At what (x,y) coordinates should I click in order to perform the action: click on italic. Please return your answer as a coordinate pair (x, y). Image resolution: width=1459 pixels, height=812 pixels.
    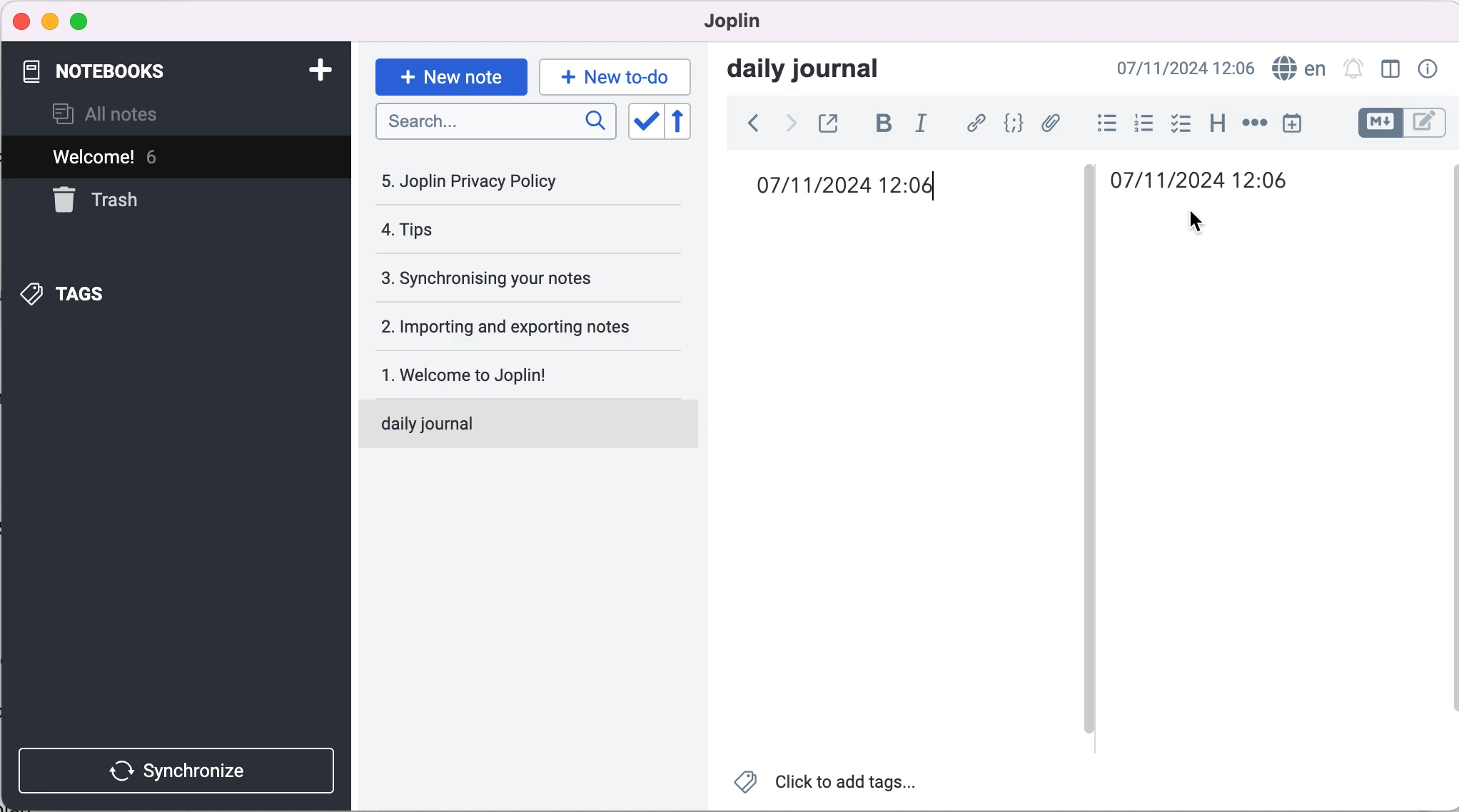
    Looking at the image, I should click on (923, 123).